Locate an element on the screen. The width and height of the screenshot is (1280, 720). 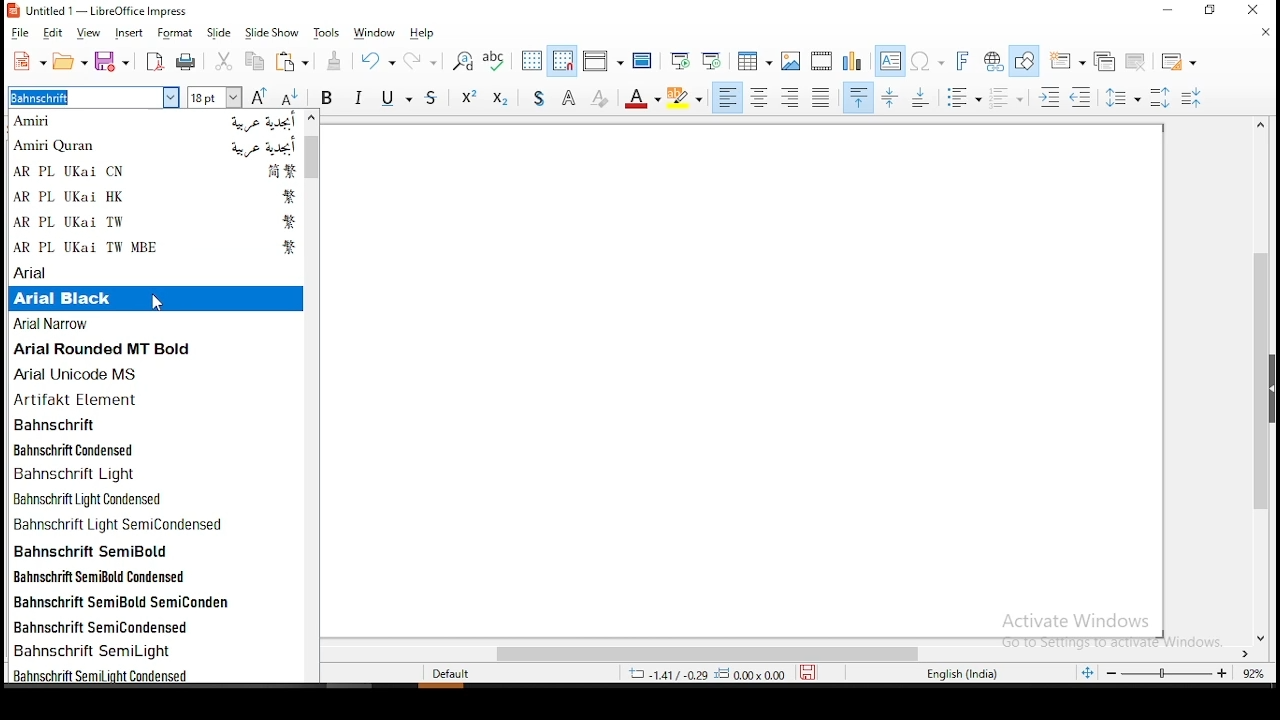
save is located at coordinates (113, 60).